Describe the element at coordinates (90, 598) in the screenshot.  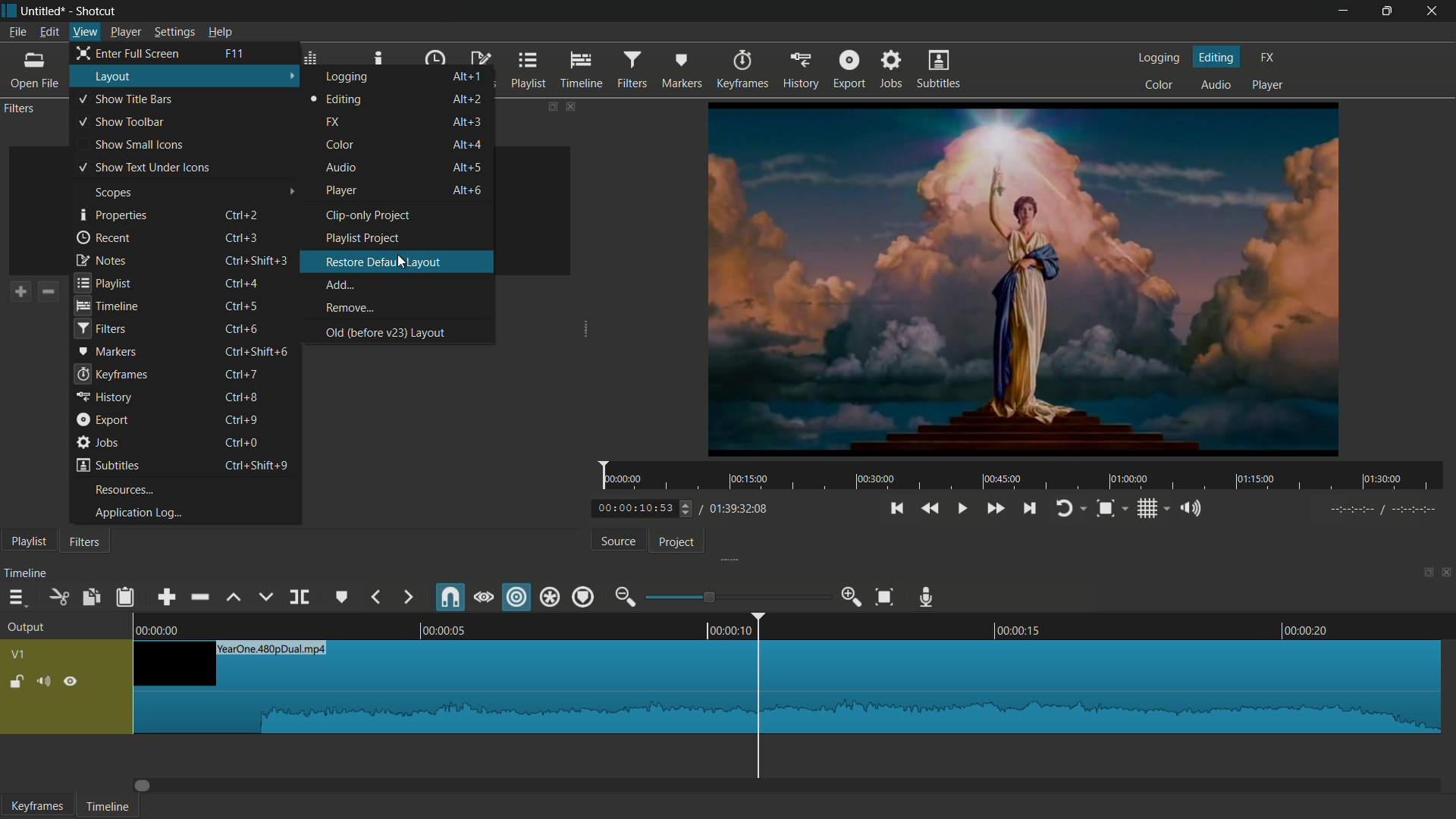
I see `copy` at that location.